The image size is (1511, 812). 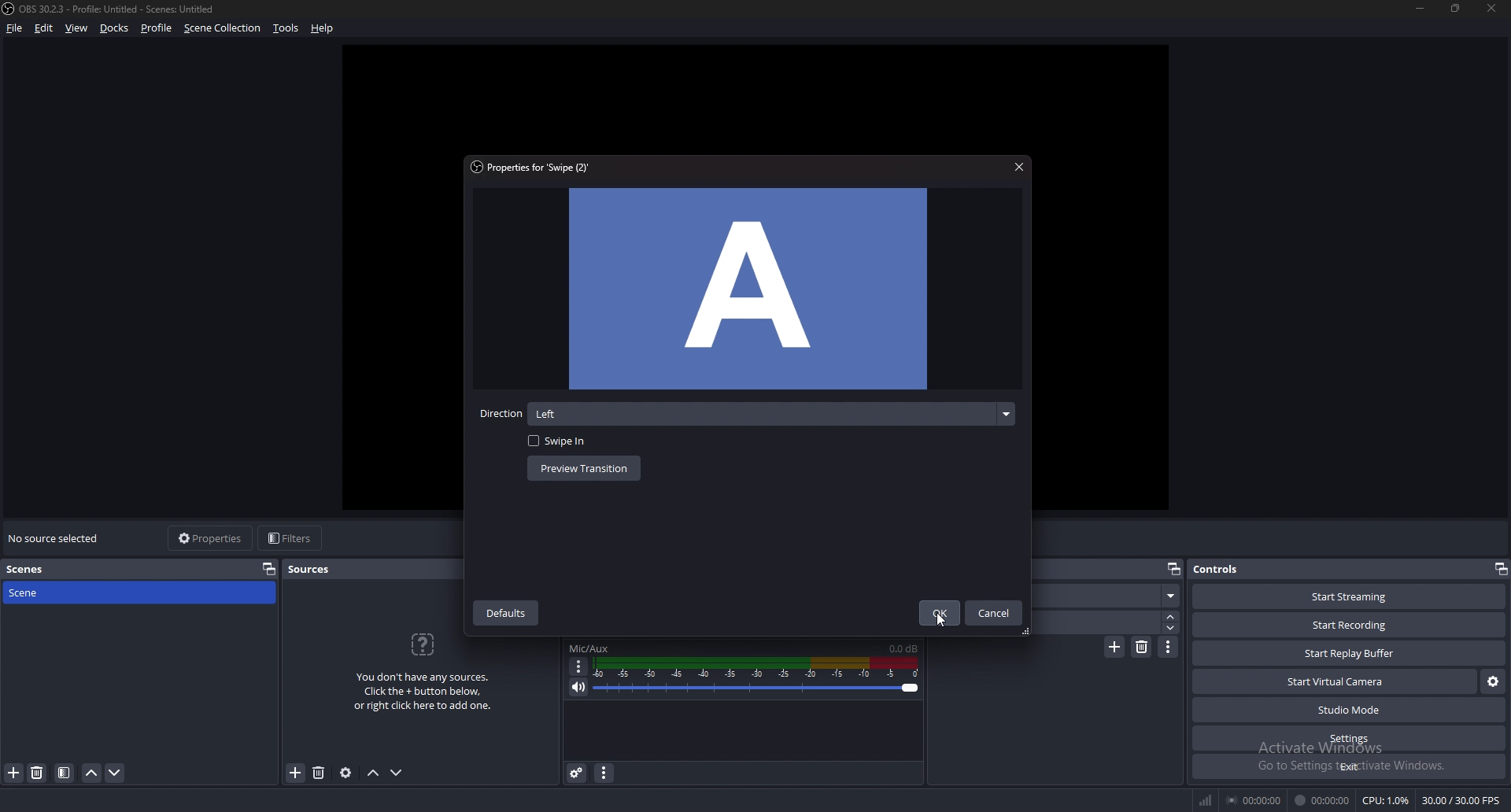 I want to click on decrease duration, so click(x=1172, y=628).